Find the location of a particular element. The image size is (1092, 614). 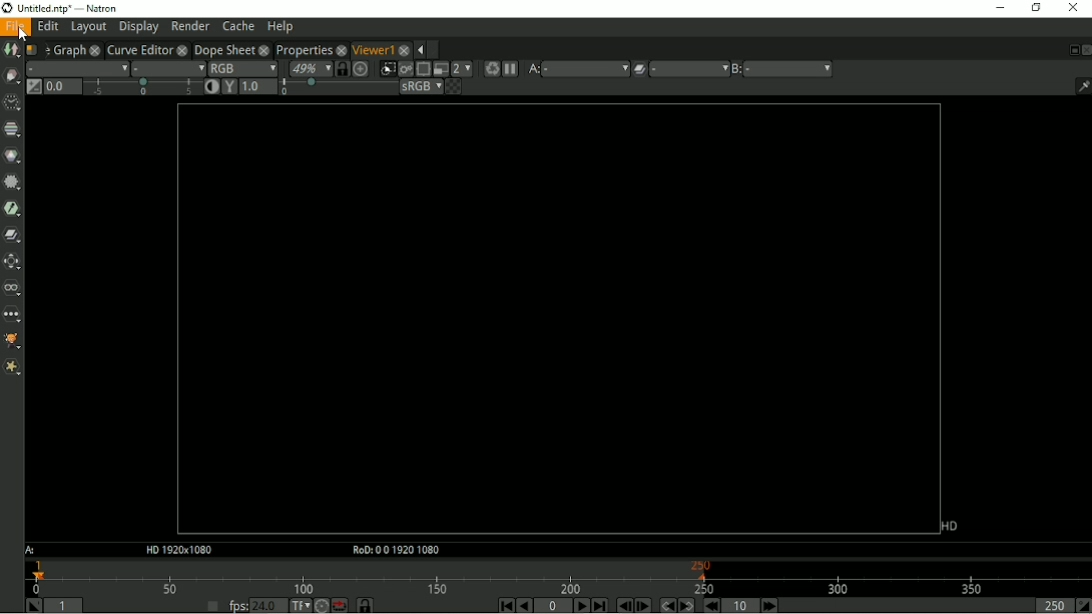

Set playback out point is located at coordinates (1083, 605).